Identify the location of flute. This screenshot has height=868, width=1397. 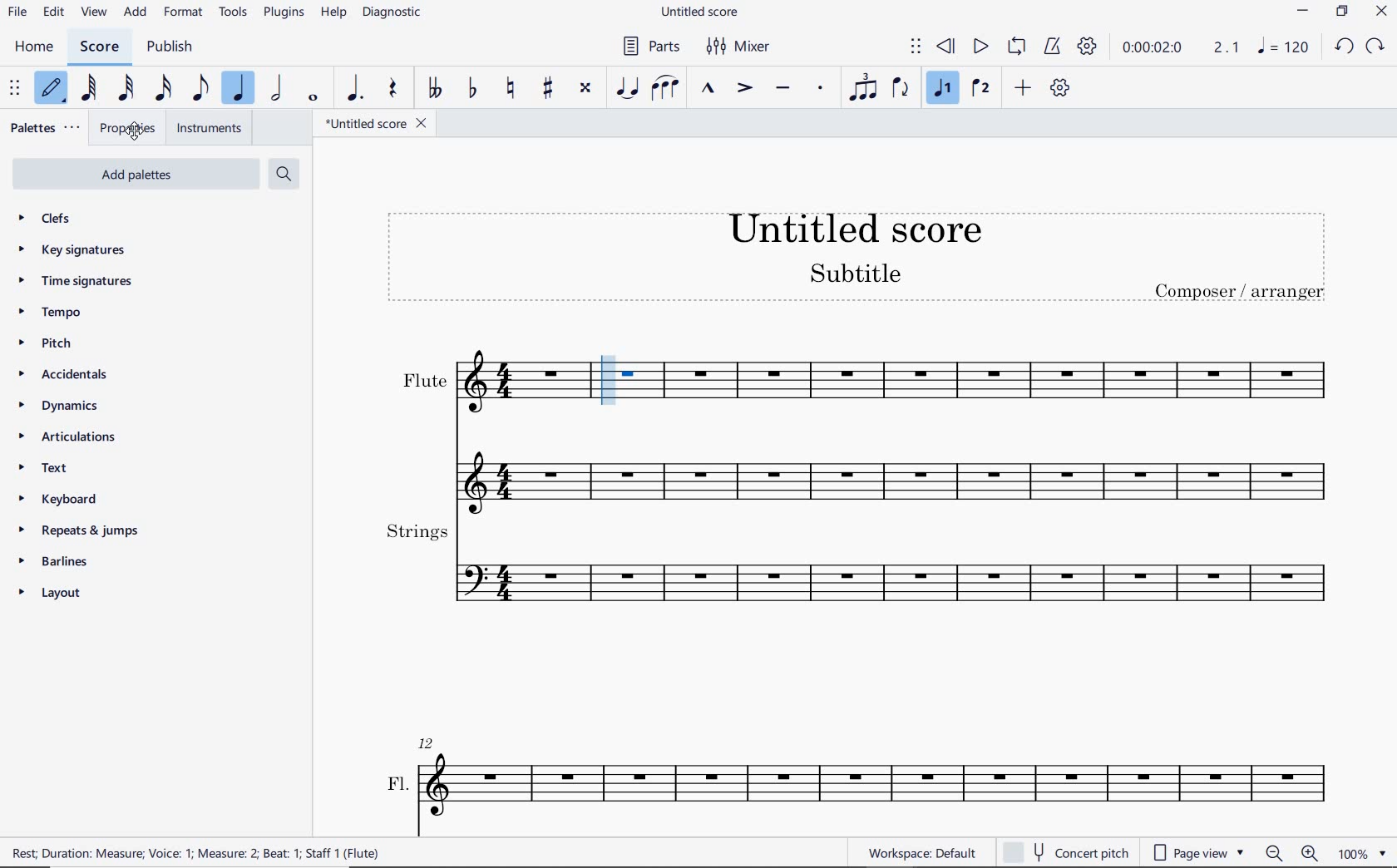
(856, 468).